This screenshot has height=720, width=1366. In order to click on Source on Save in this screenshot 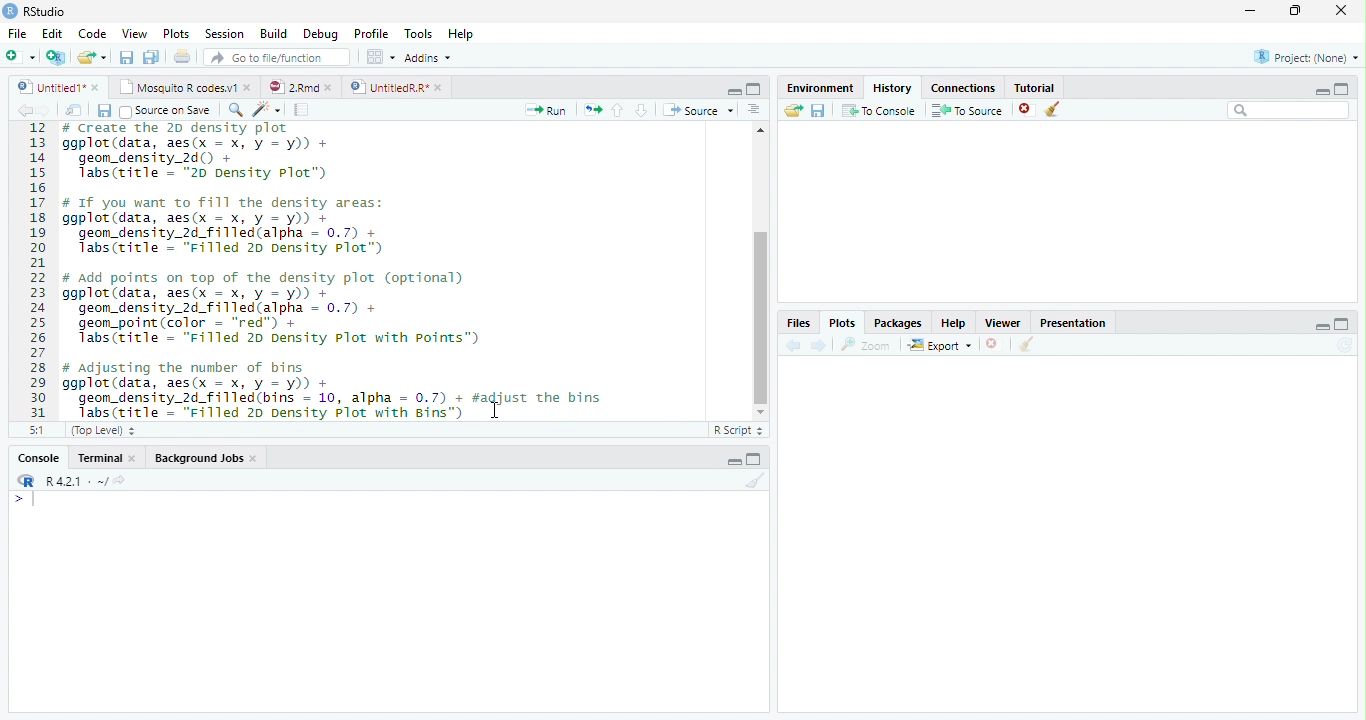, I will do `click(163, 111)`.